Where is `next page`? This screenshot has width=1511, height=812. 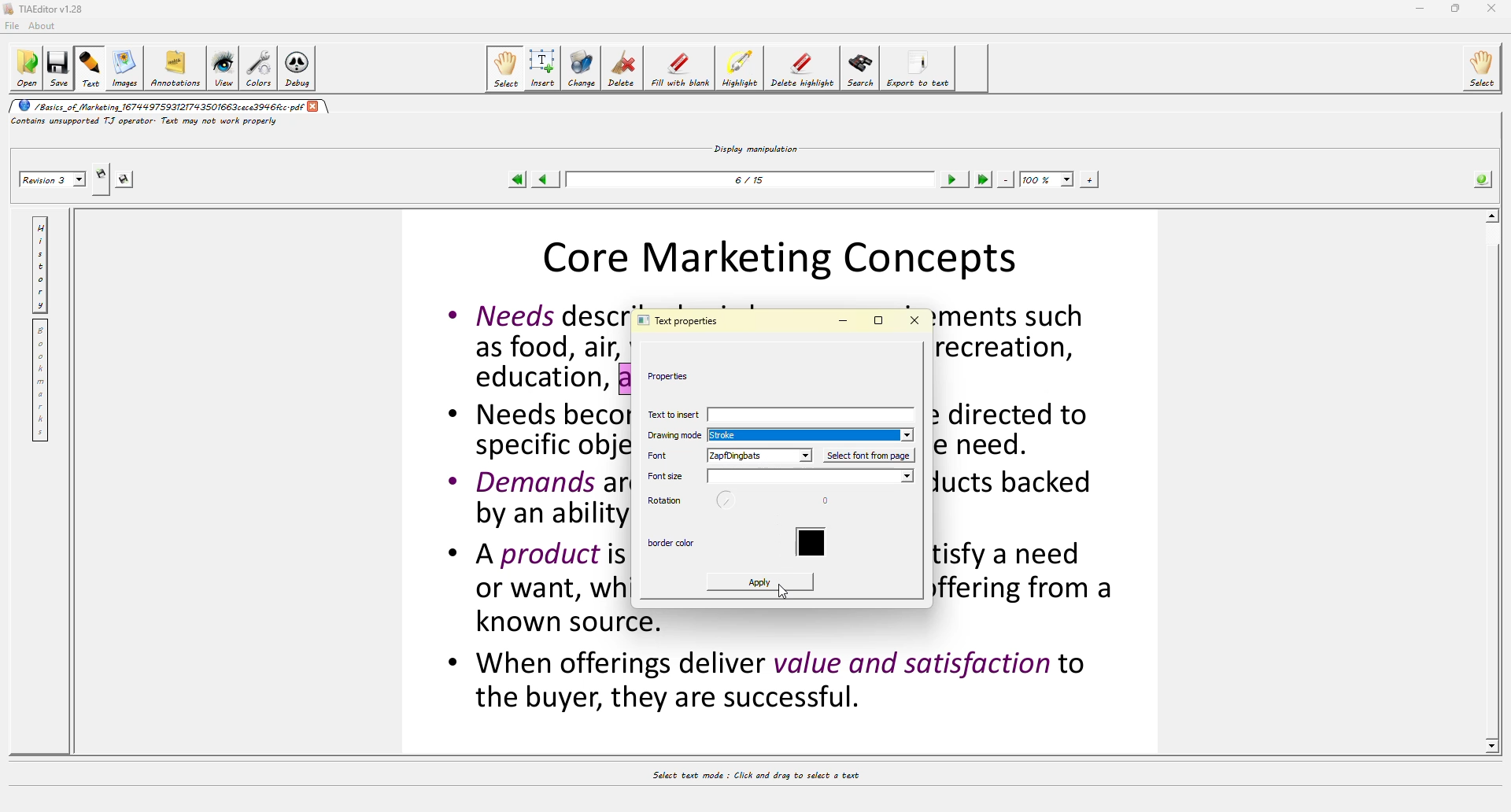
next page is located at coordinates (952, 180).